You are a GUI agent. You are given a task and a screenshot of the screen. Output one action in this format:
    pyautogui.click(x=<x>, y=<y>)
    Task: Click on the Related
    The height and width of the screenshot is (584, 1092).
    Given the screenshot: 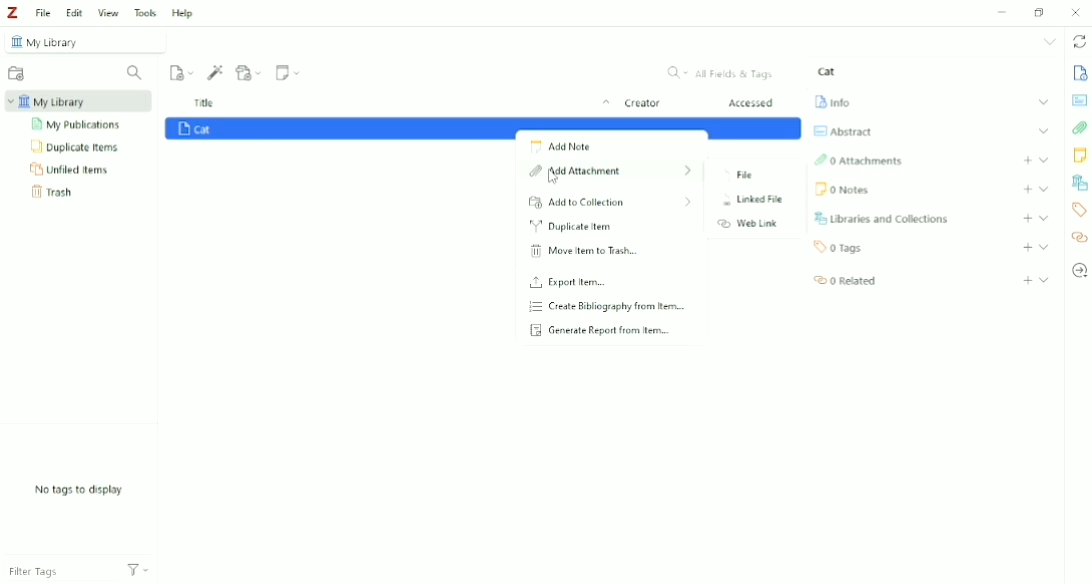 What is the action you would take?
    pyautogui.click(x=843, y=279)
    